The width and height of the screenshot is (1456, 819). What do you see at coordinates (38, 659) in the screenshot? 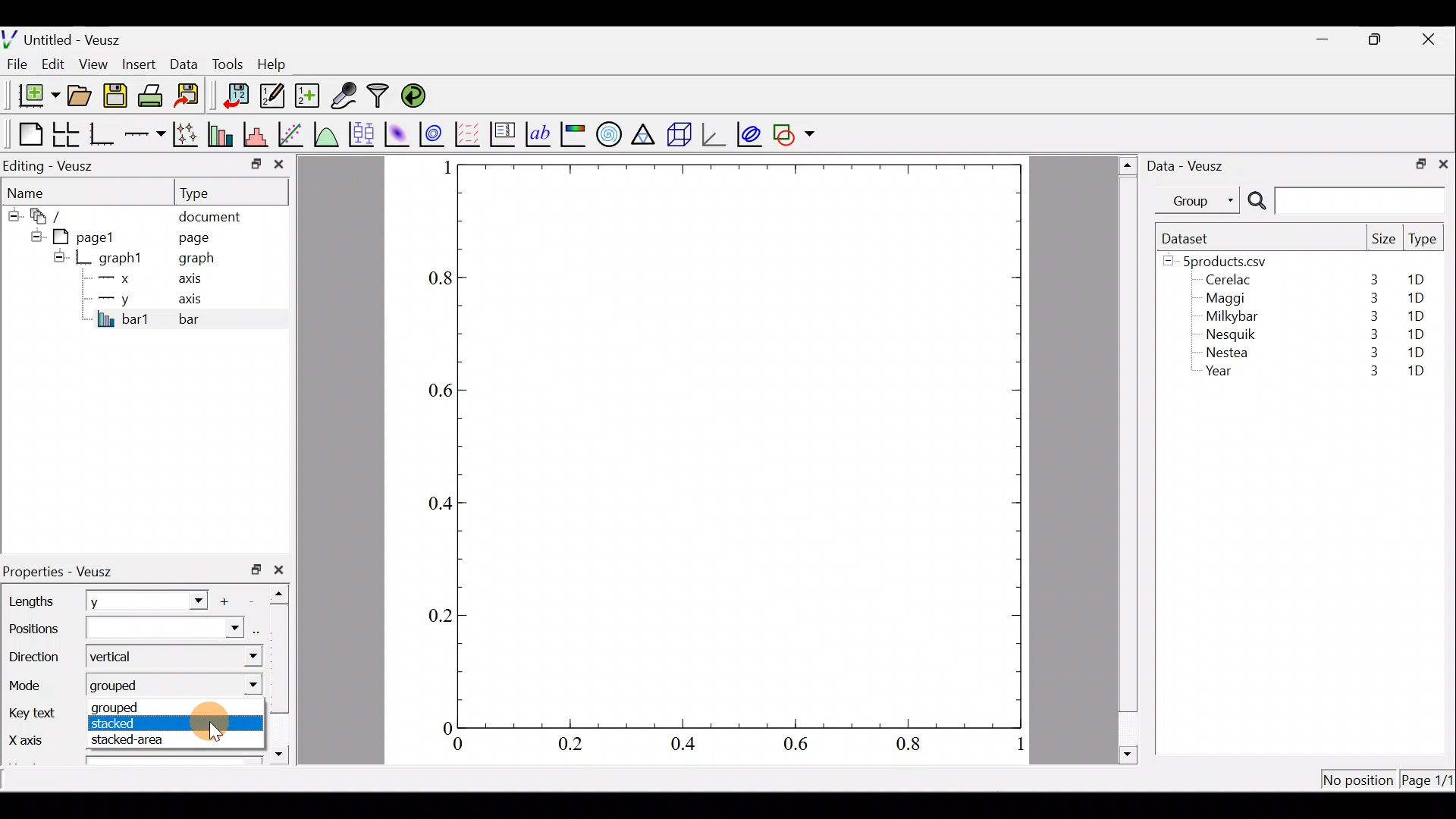
I see `Direction` at bounding box center [38, 659].